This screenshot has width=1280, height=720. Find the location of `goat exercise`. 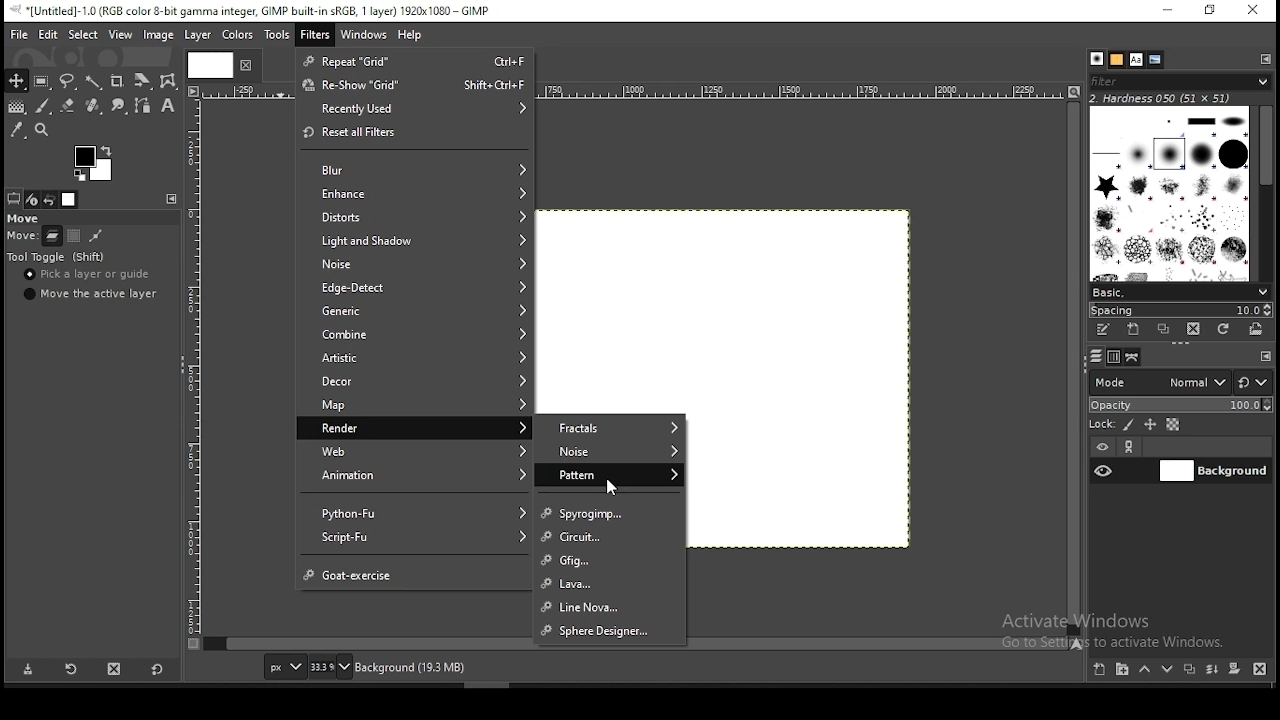

goat exercise is located at coordinates (418, 574).